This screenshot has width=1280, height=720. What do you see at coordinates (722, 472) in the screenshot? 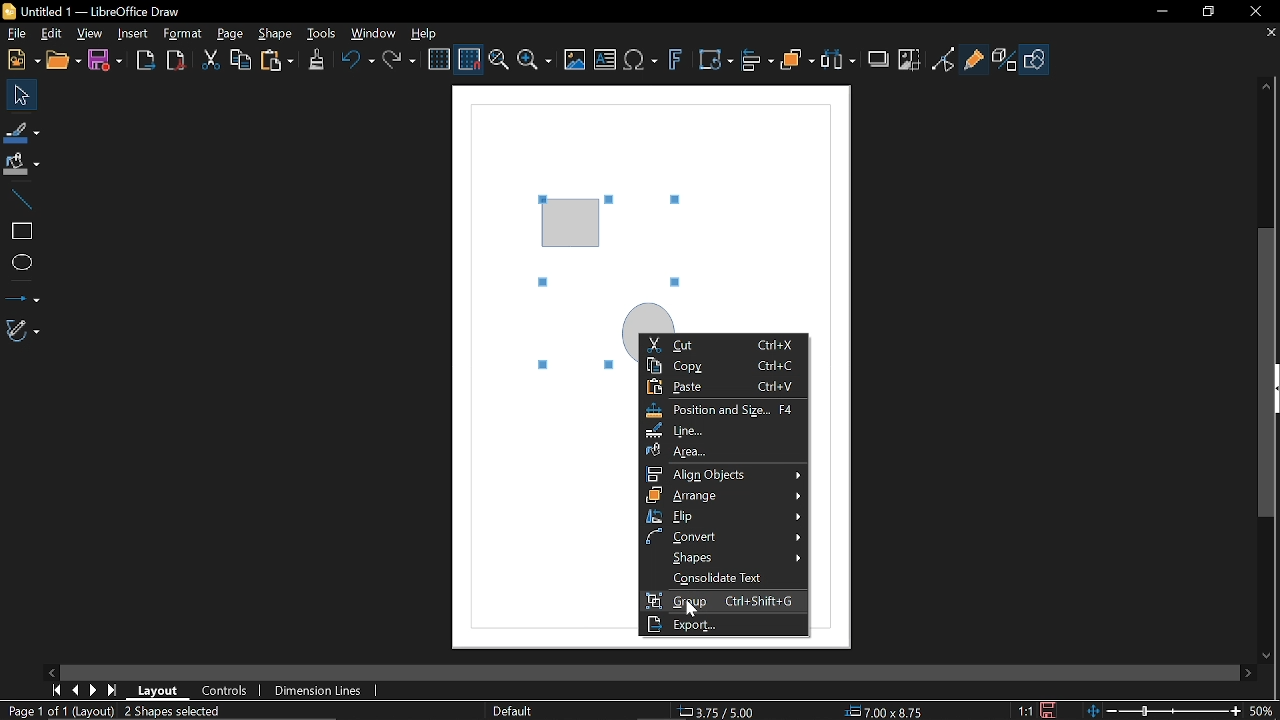
I see `Allign objects` at bounding box center [722, 472].